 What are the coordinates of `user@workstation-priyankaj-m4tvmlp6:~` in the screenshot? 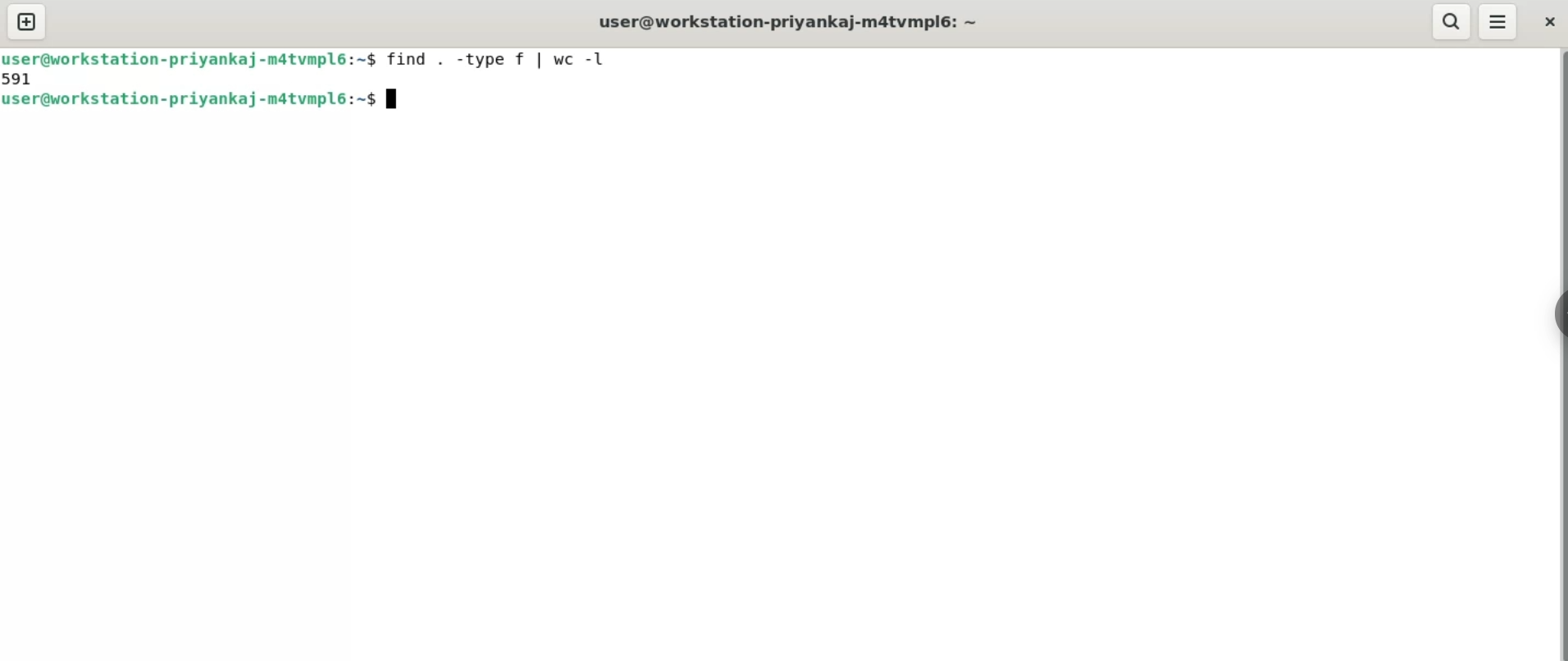 It's located at (789, 21).